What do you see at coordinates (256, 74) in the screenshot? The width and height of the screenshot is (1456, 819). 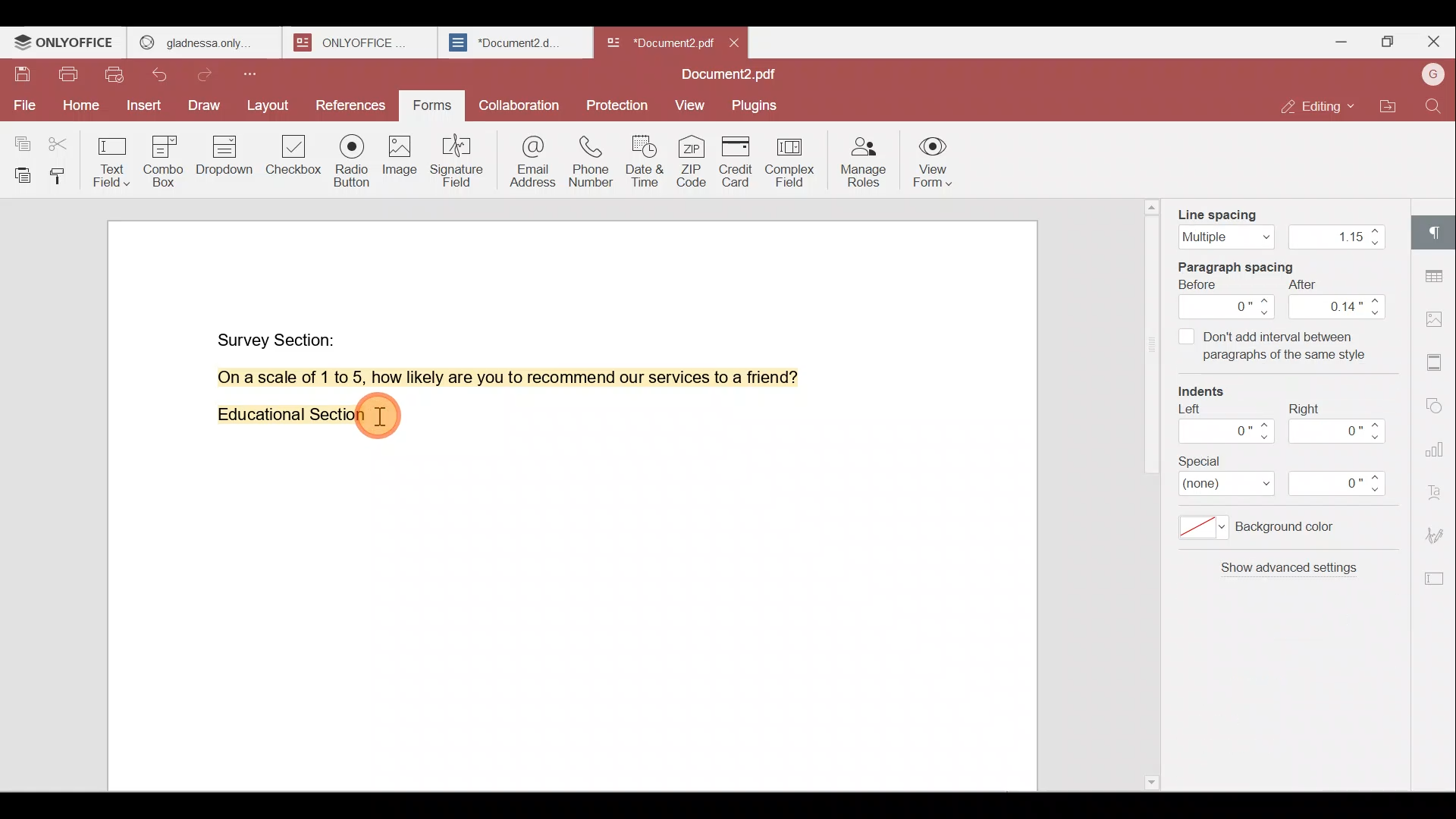 I see `Customize quick access toolbar` at bounding box center [256, 74].